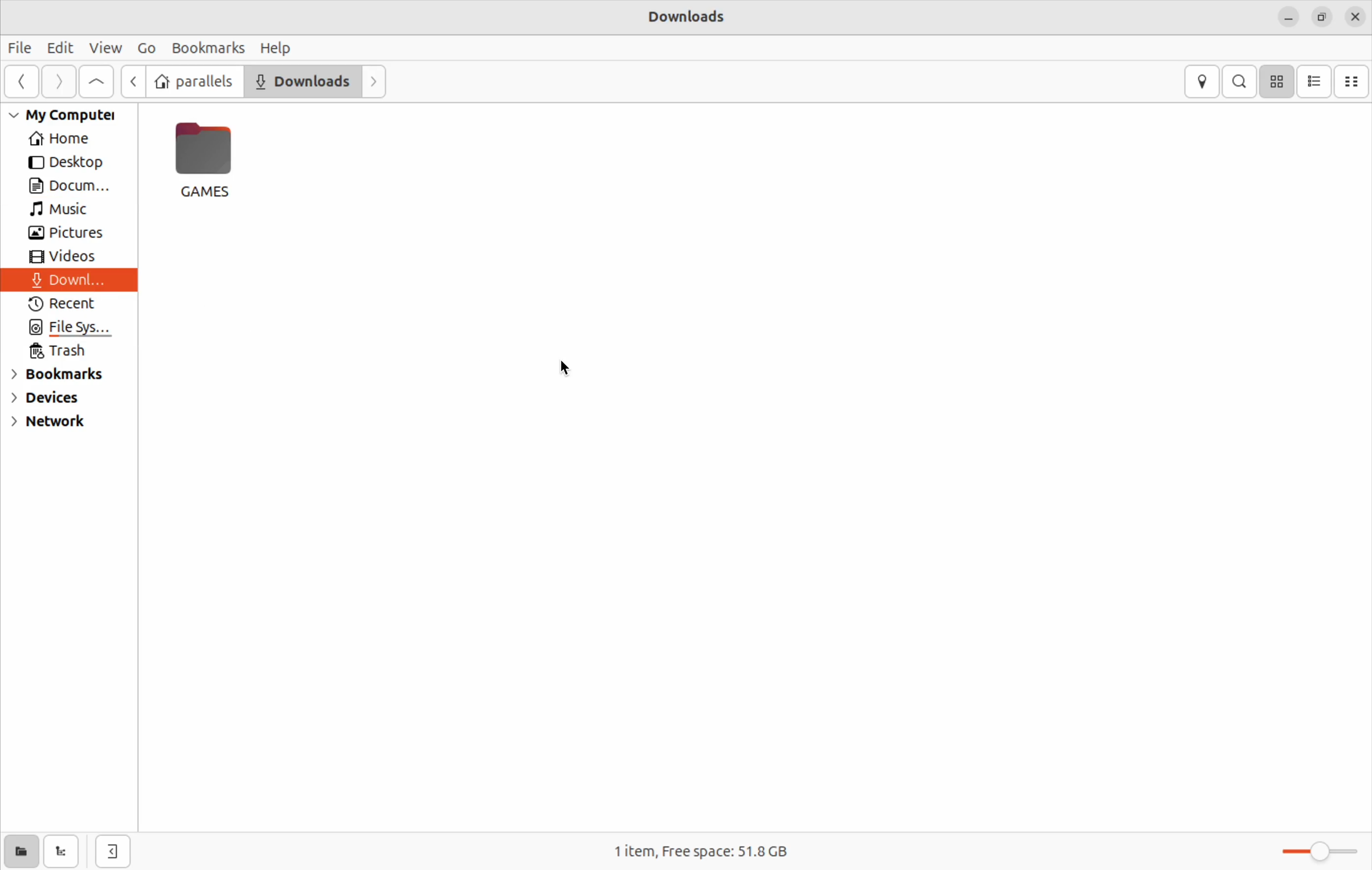  What do you see at coordinates (196, 82) in the screenshot?
I see `parallel` at bounding box center [196, 82].